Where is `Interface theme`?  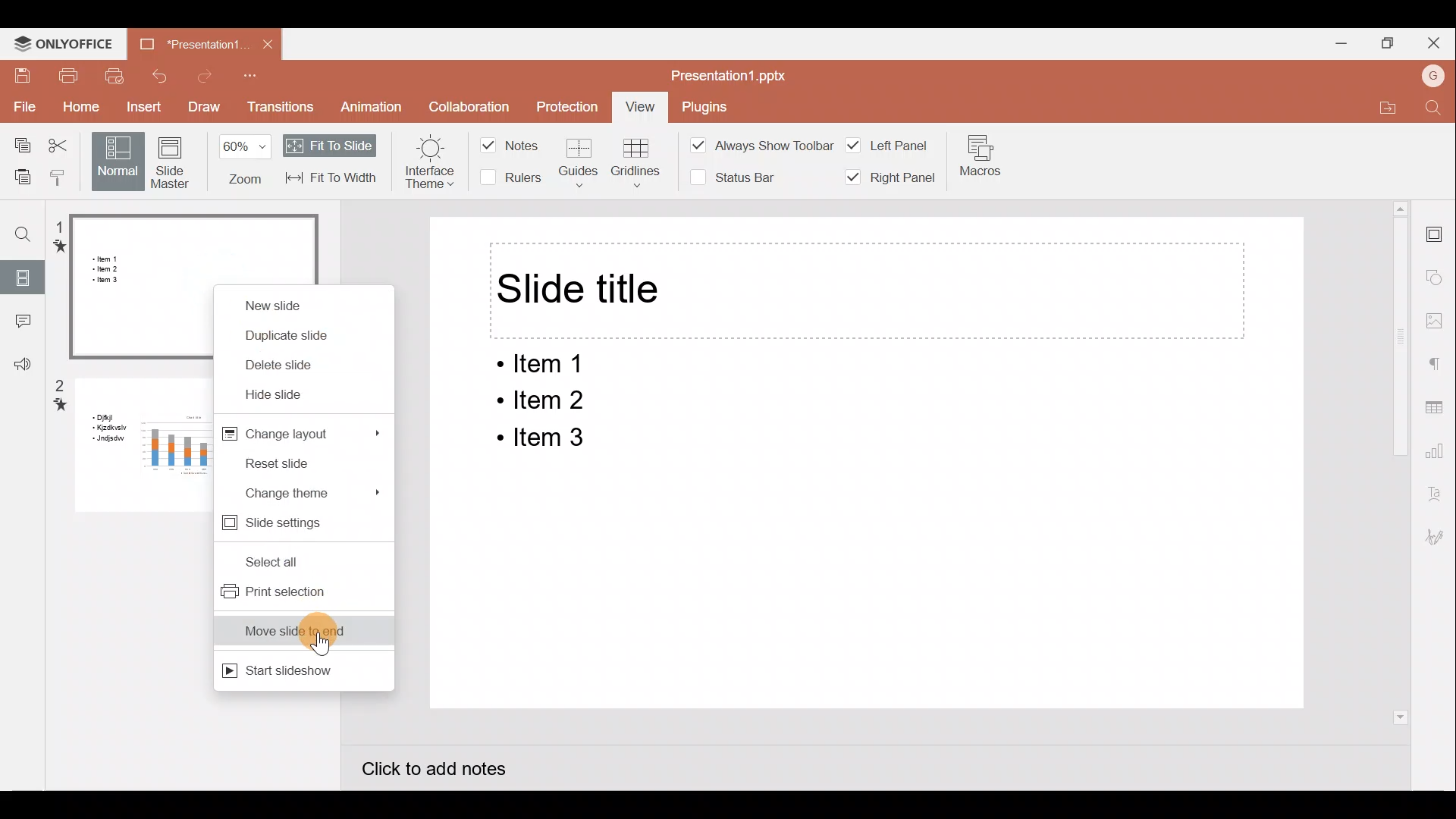 Interface theme is located at coordinates (431, 160).